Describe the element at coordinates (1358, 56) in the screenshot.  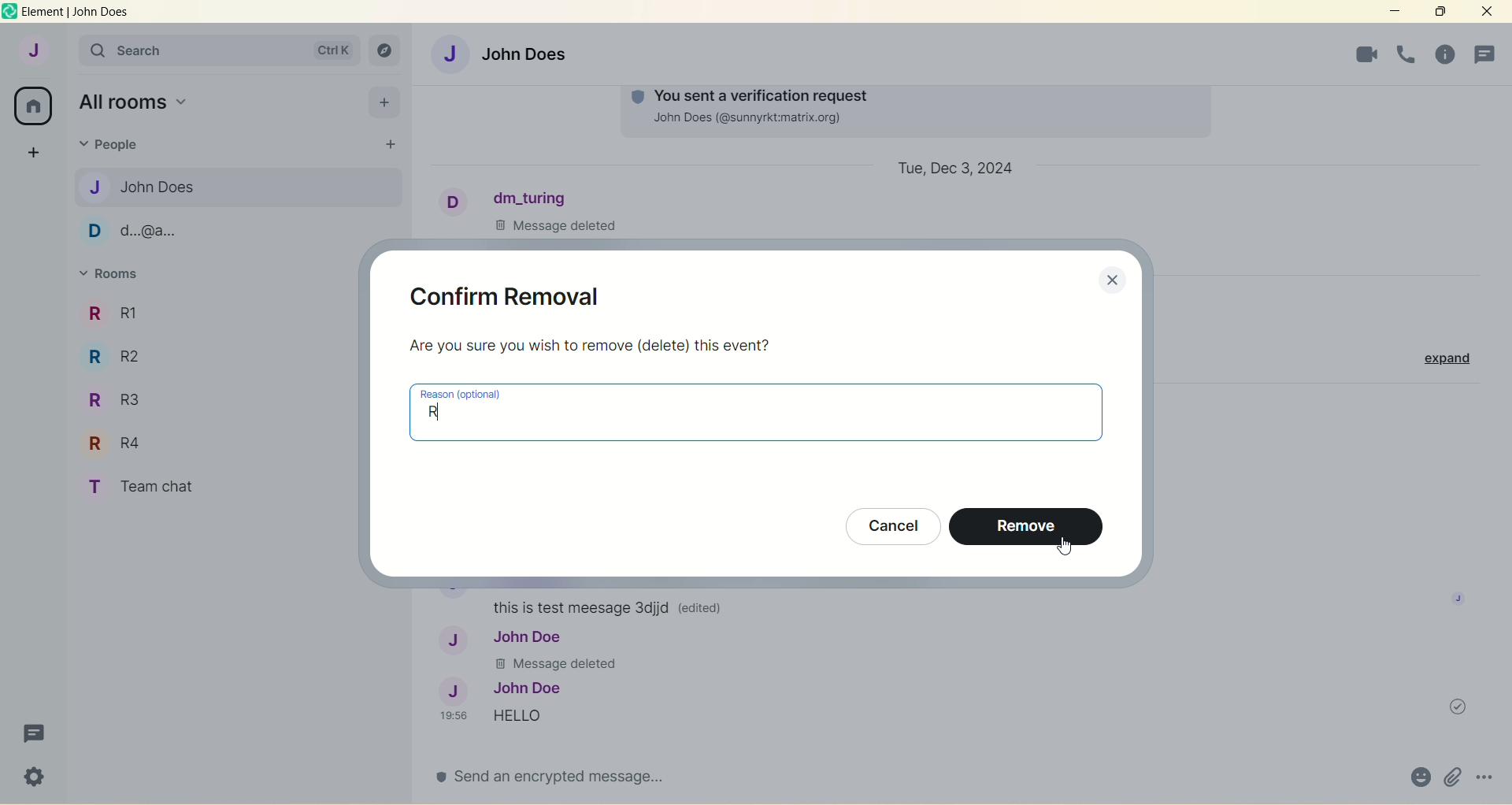
I see `voice call` at that location.